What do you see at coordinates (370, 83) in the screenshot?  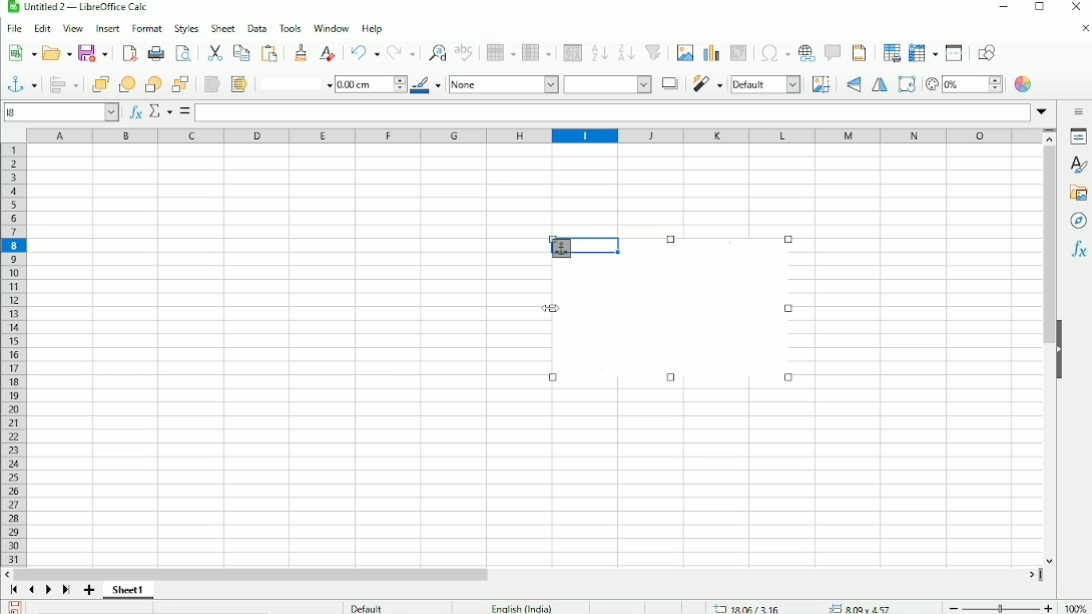 I see `Line thickness` at bounding box center [370, 83].